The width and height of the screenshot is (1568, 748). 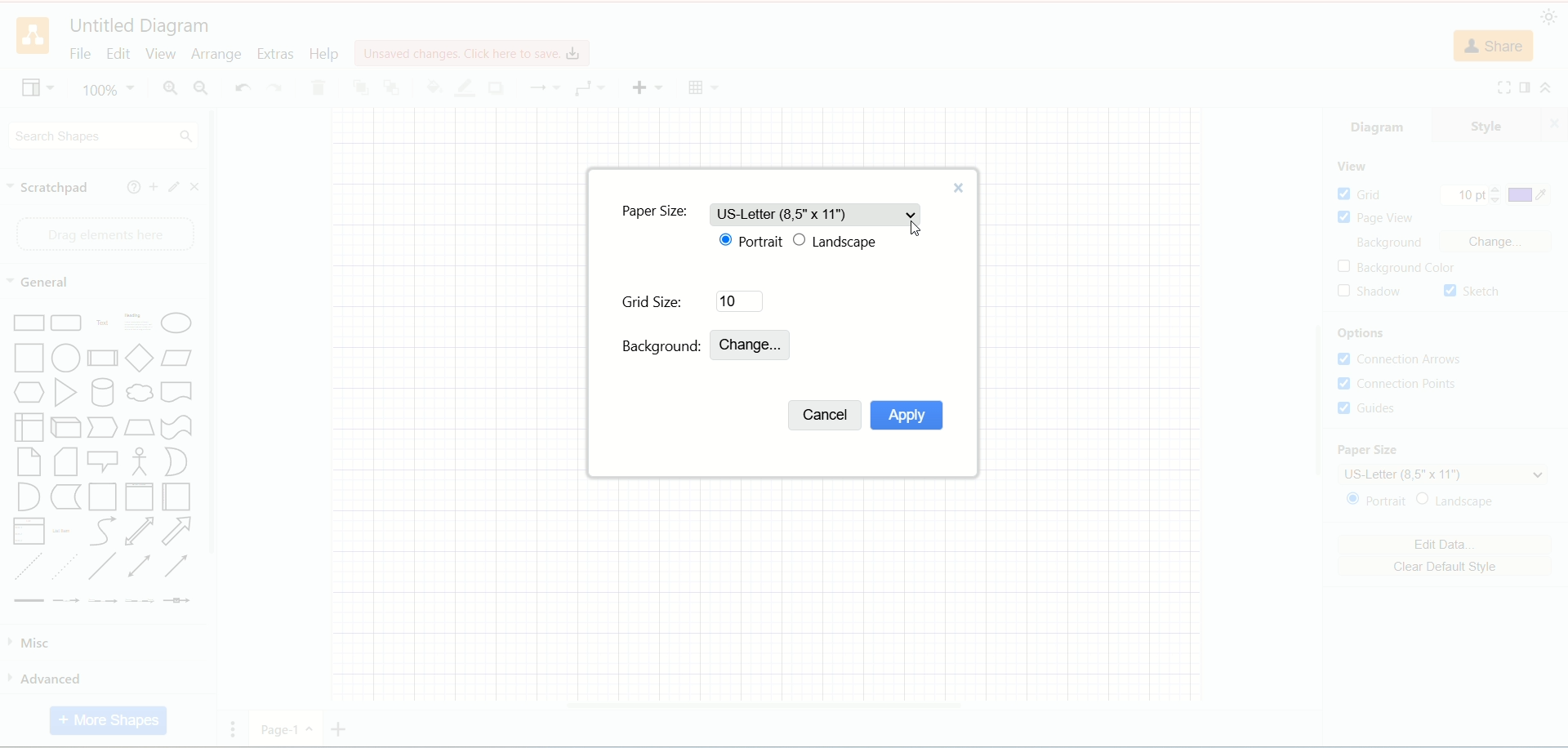 I want to click on line color, so click(x=462, y=87).